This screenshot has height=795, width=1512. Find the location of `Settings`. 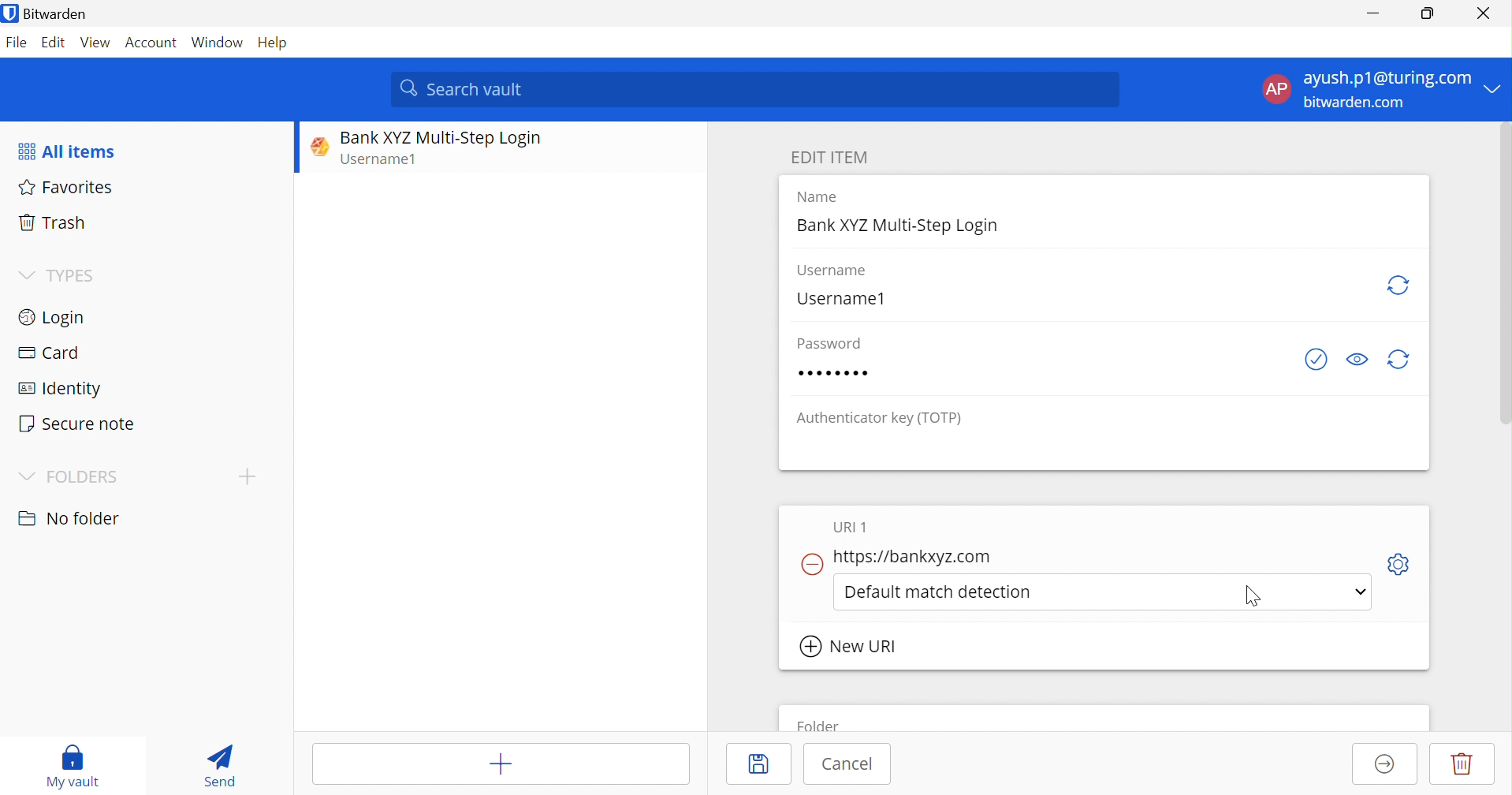

Settings is located at coordinates (1404, 562).